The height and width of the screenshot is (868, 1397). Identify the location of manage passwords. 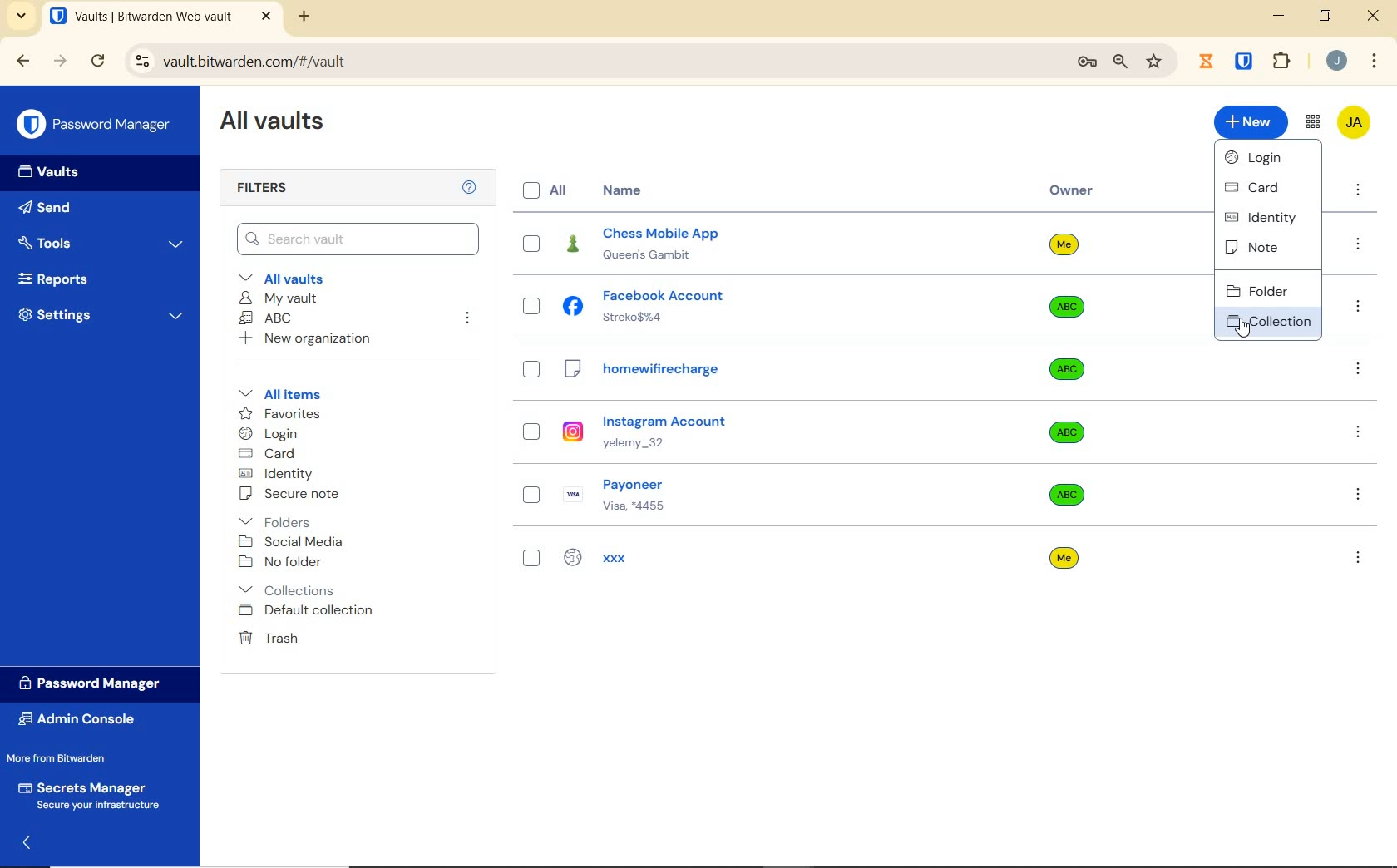
(1087, 64).